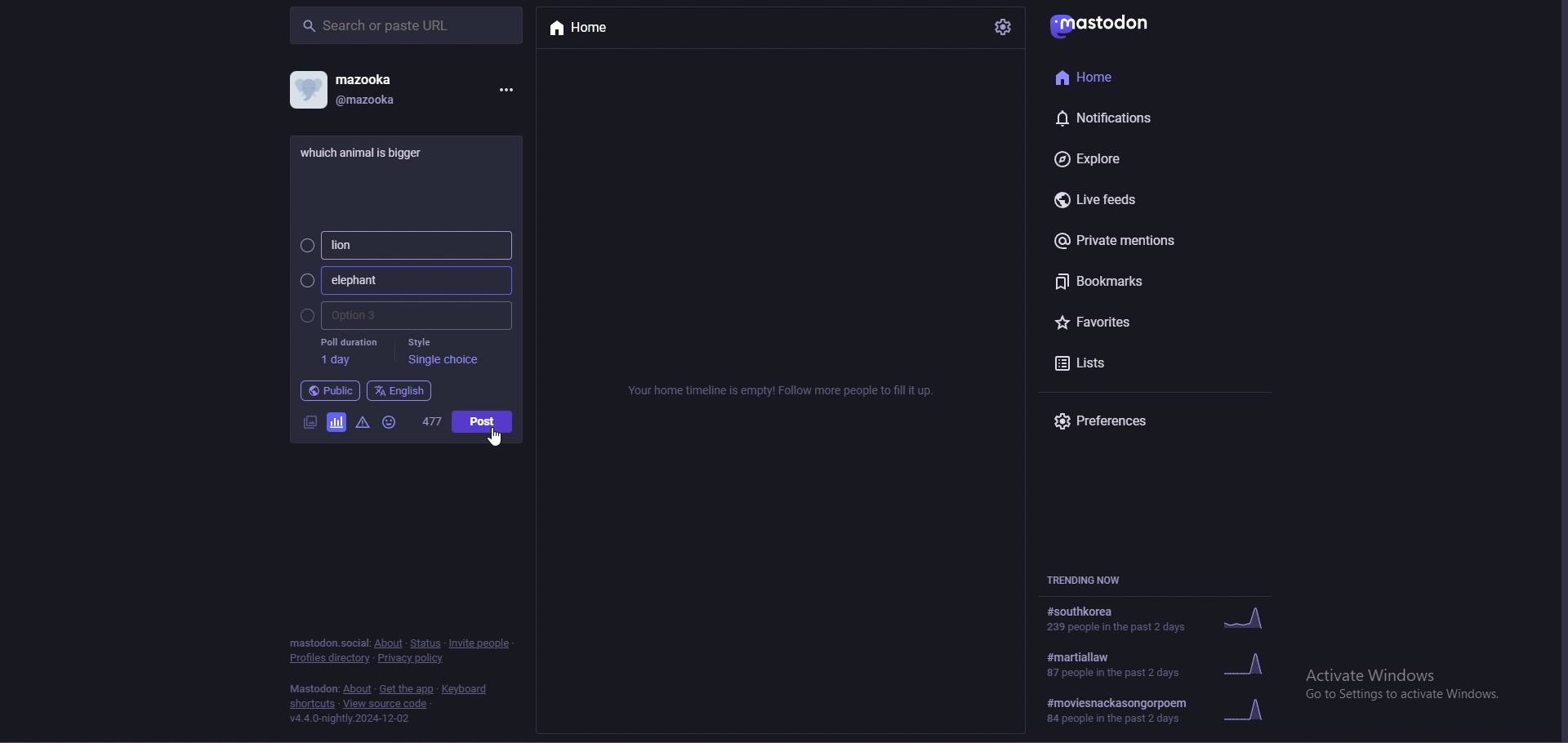  Describe the element at coordinates (413, 658) in the screenshot. I see `privacy policy` at that location.